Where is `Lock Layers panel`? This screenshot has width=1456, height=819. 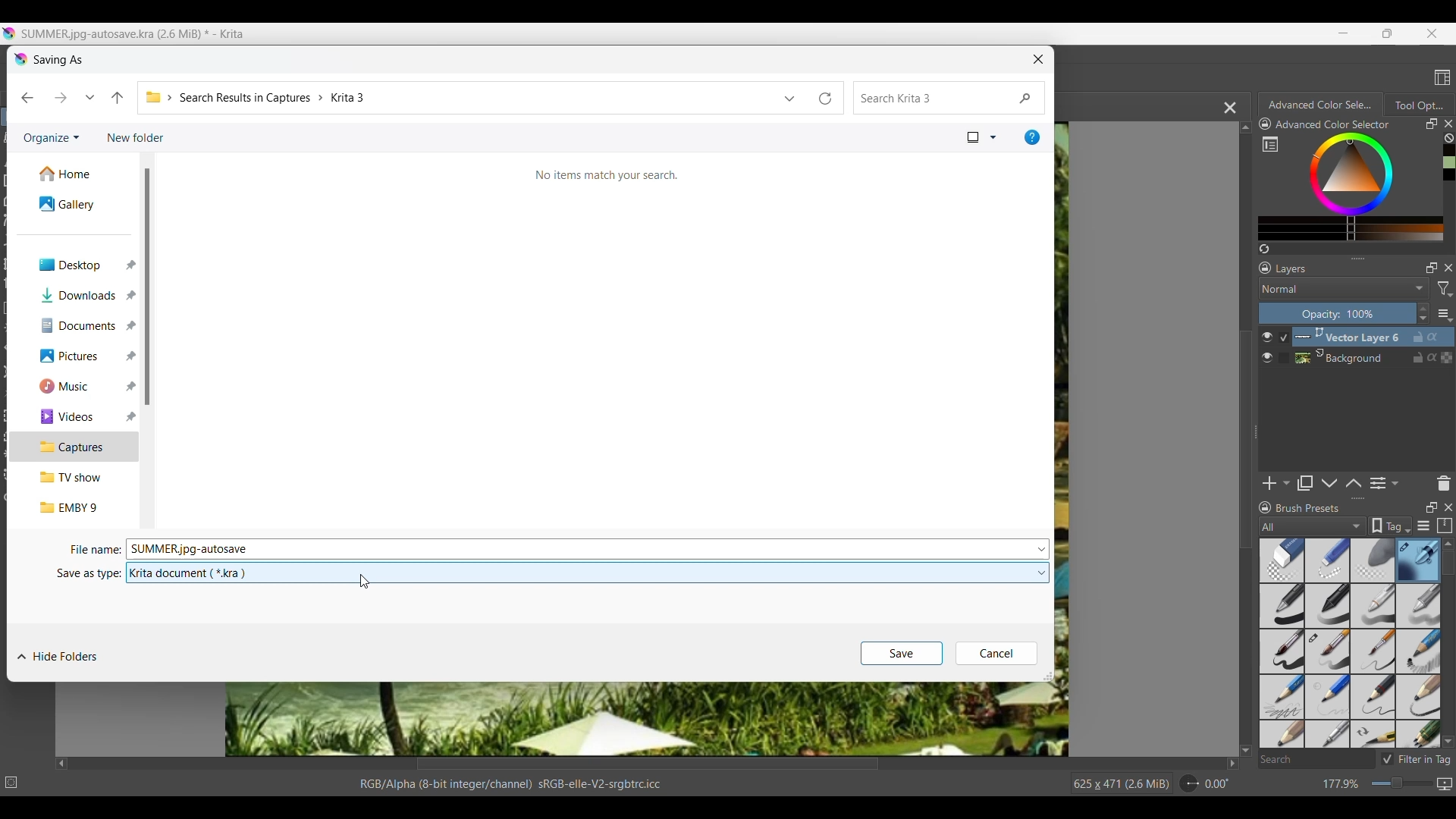 Lock Layers panel is located at coordinates (1266, 268).